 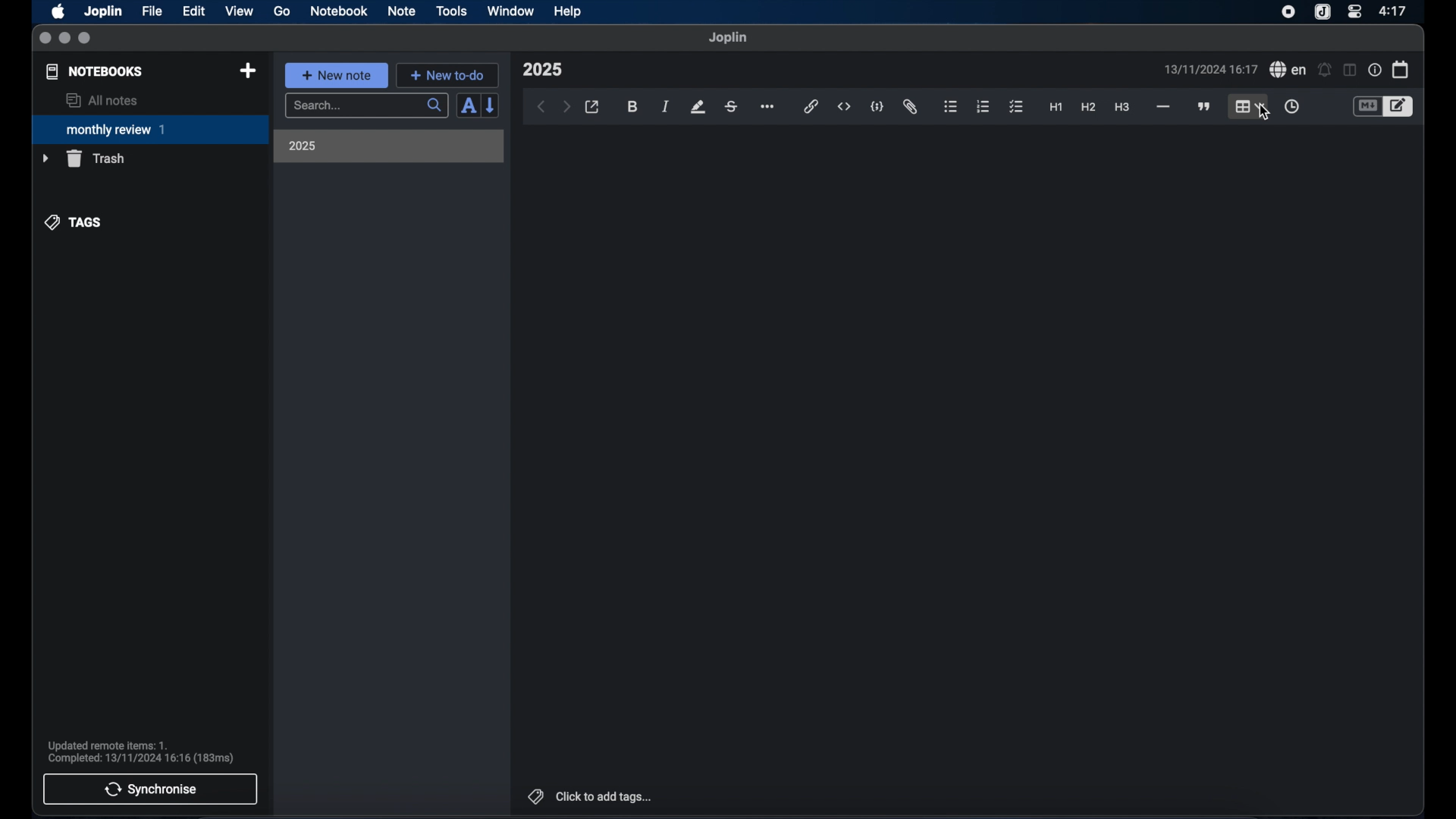 I want to click on heading 3, so click(x=1122, y=108).